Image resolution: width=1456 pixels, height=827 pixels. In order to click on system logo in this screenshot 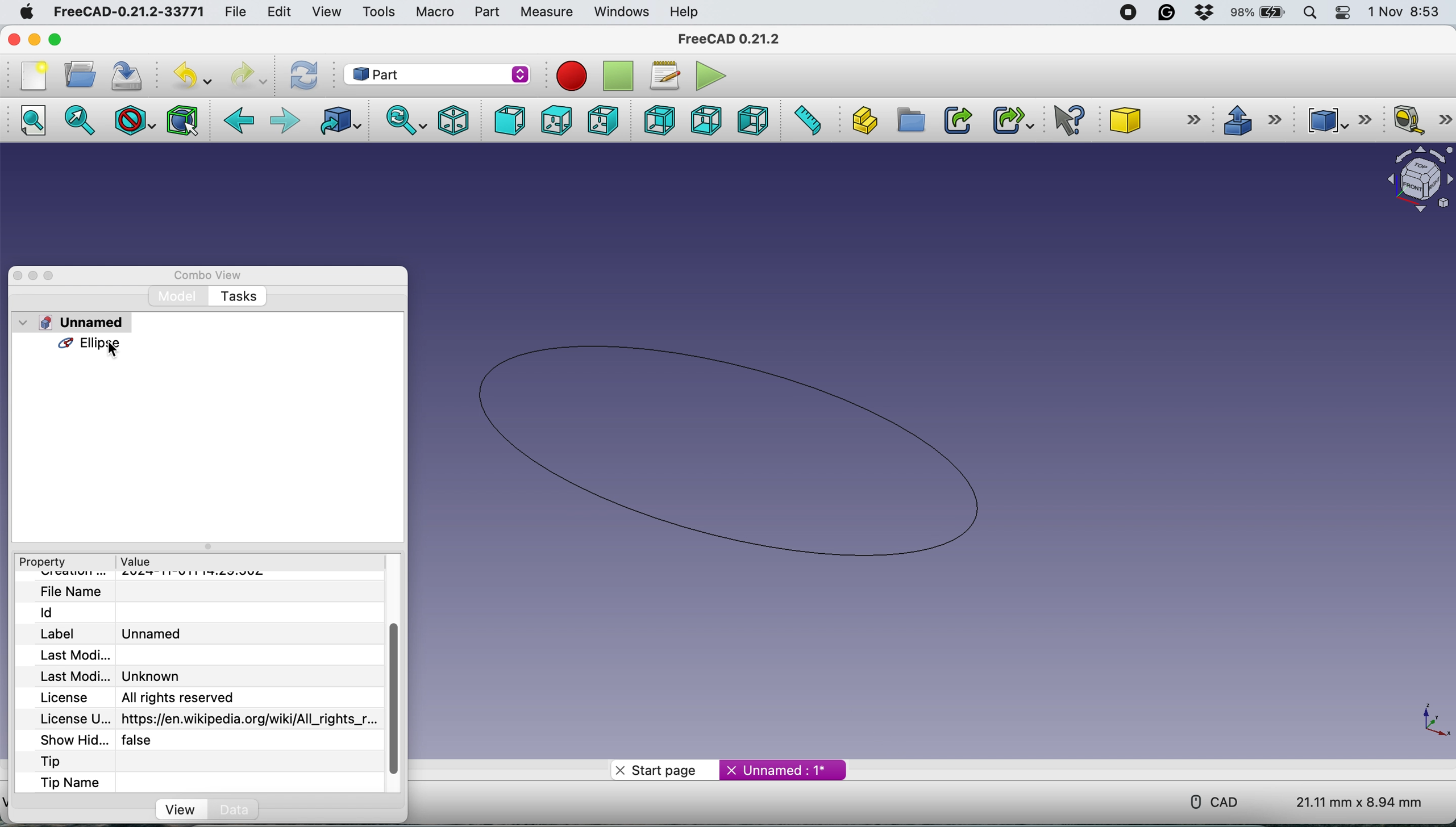, I will do `click(28, 12)`.